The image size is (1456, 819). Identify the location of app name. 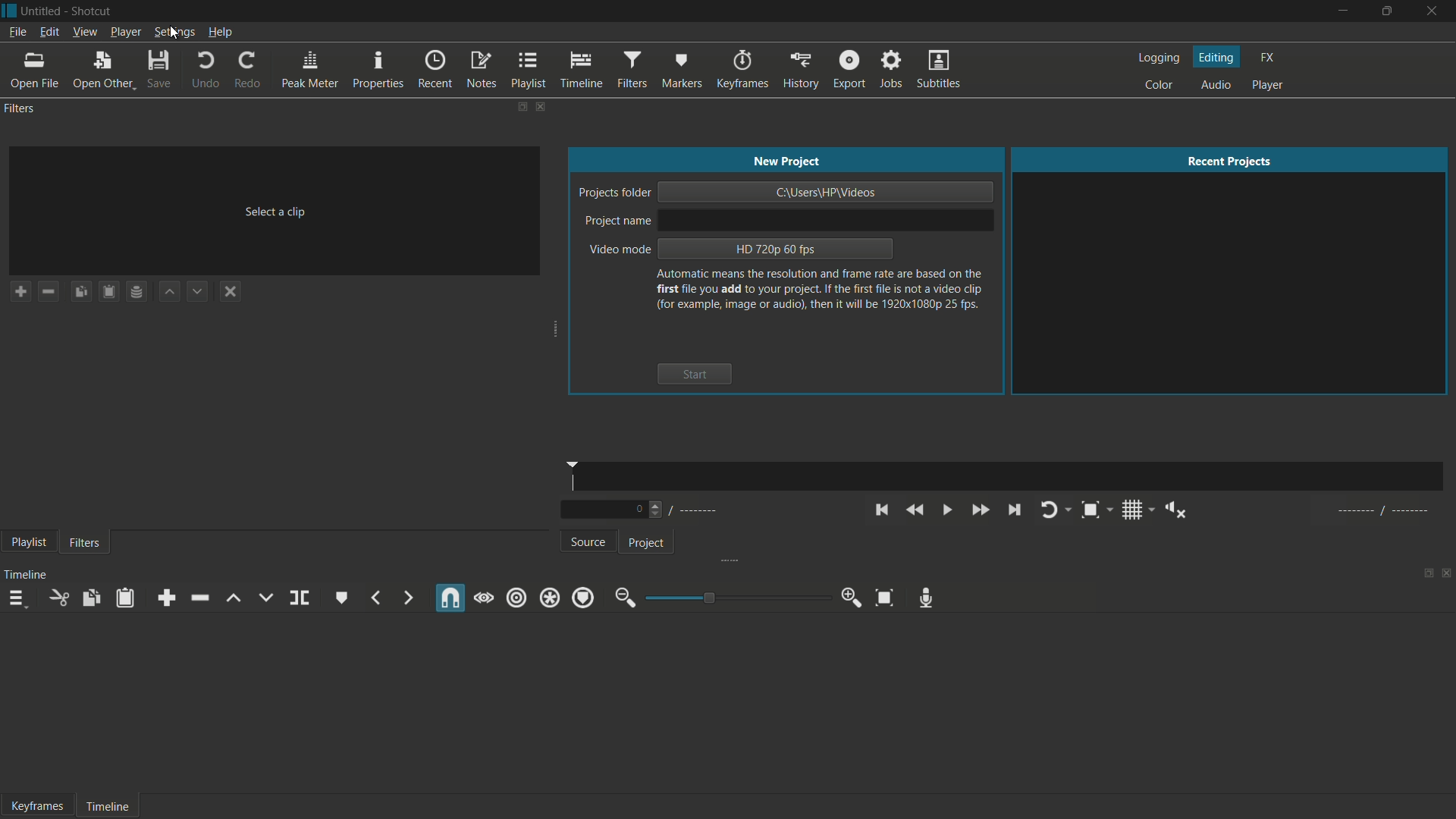
(94, 9).